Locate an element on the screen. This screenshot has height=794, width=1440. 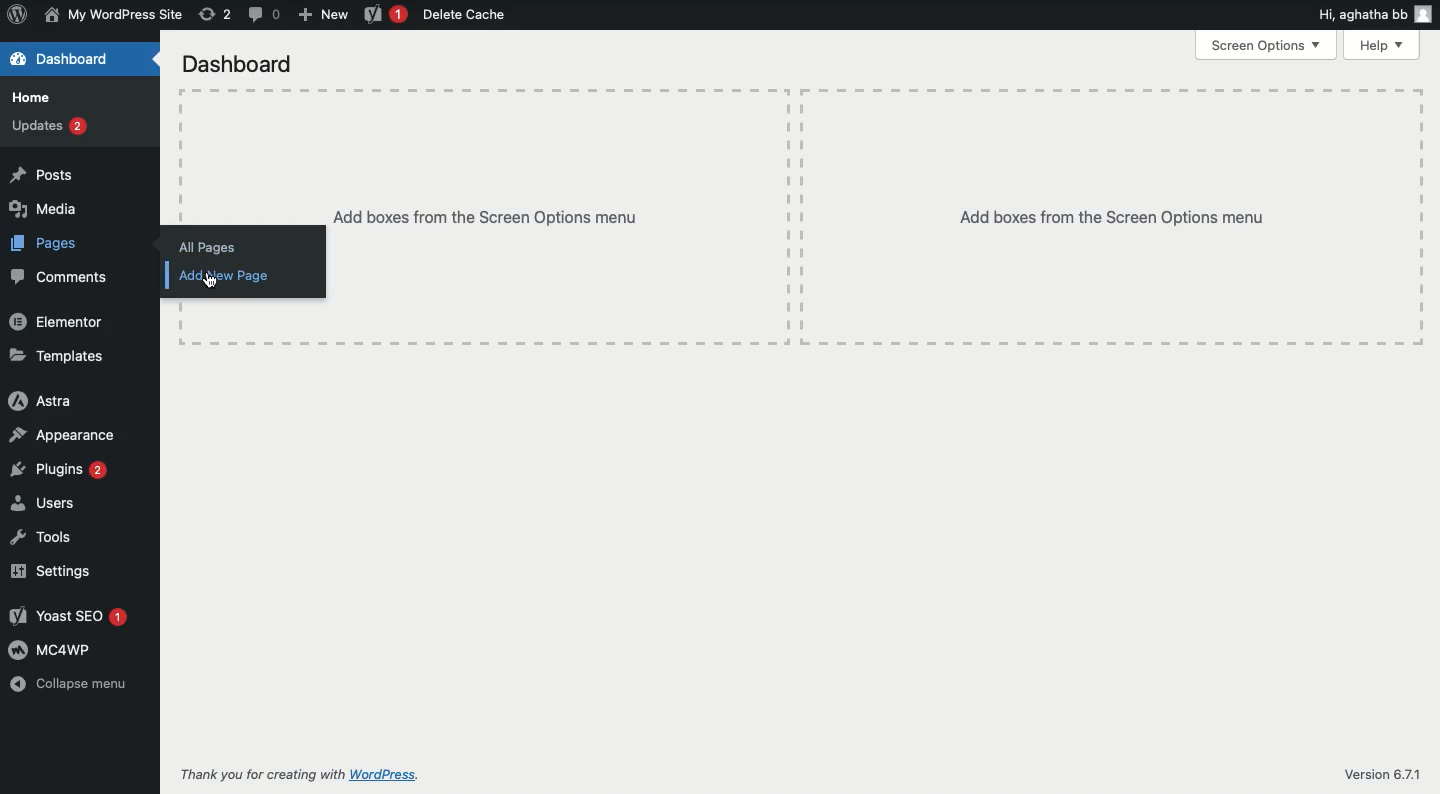
Plugins is located at coordinates (58, 468).